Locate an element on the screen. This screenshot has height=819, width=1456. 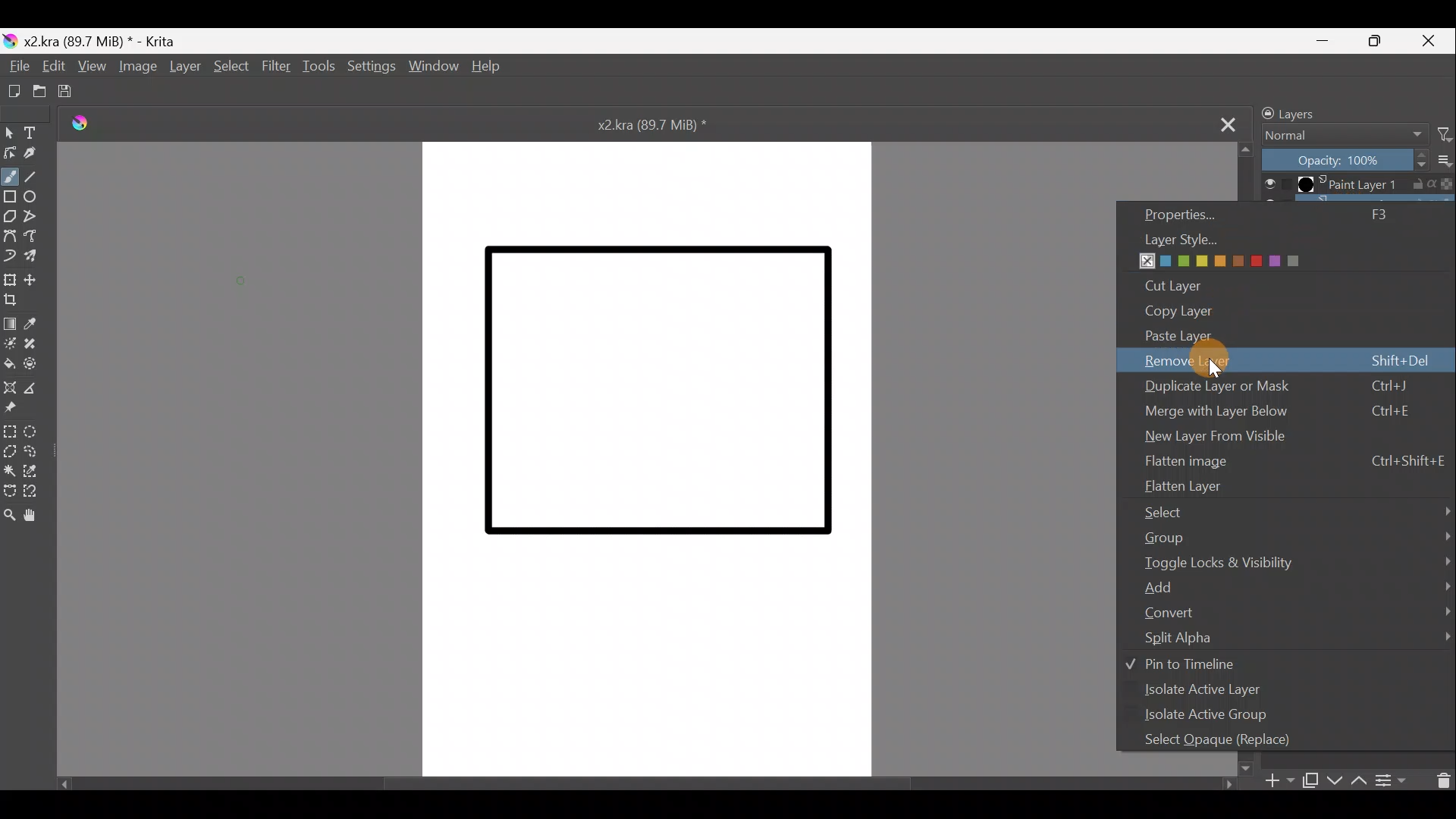
Freehand selection tool is located at coordinates (36, 450).